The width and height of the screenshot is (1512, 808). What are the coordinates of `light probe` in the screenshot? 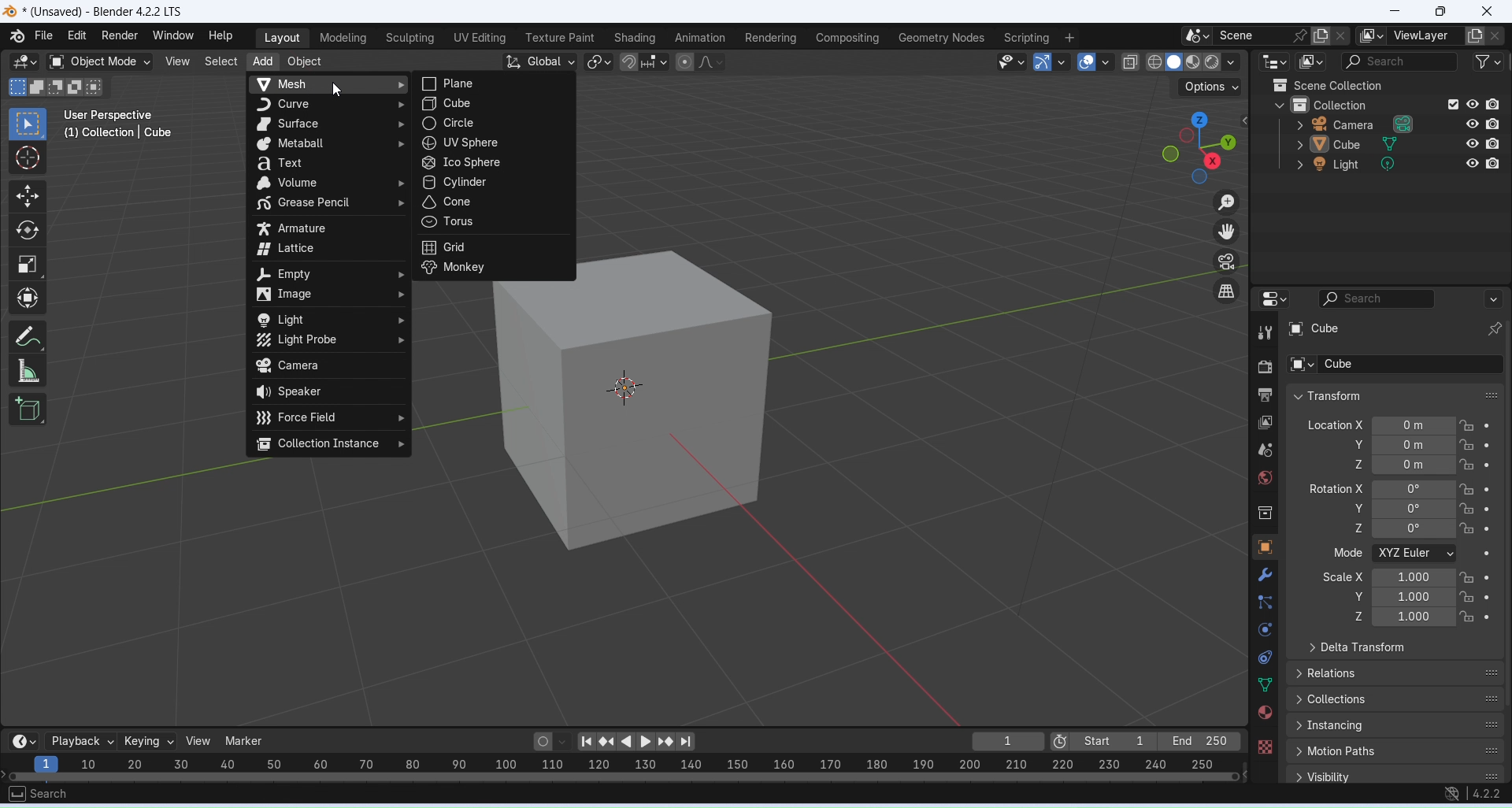 It's located at (328, 340).